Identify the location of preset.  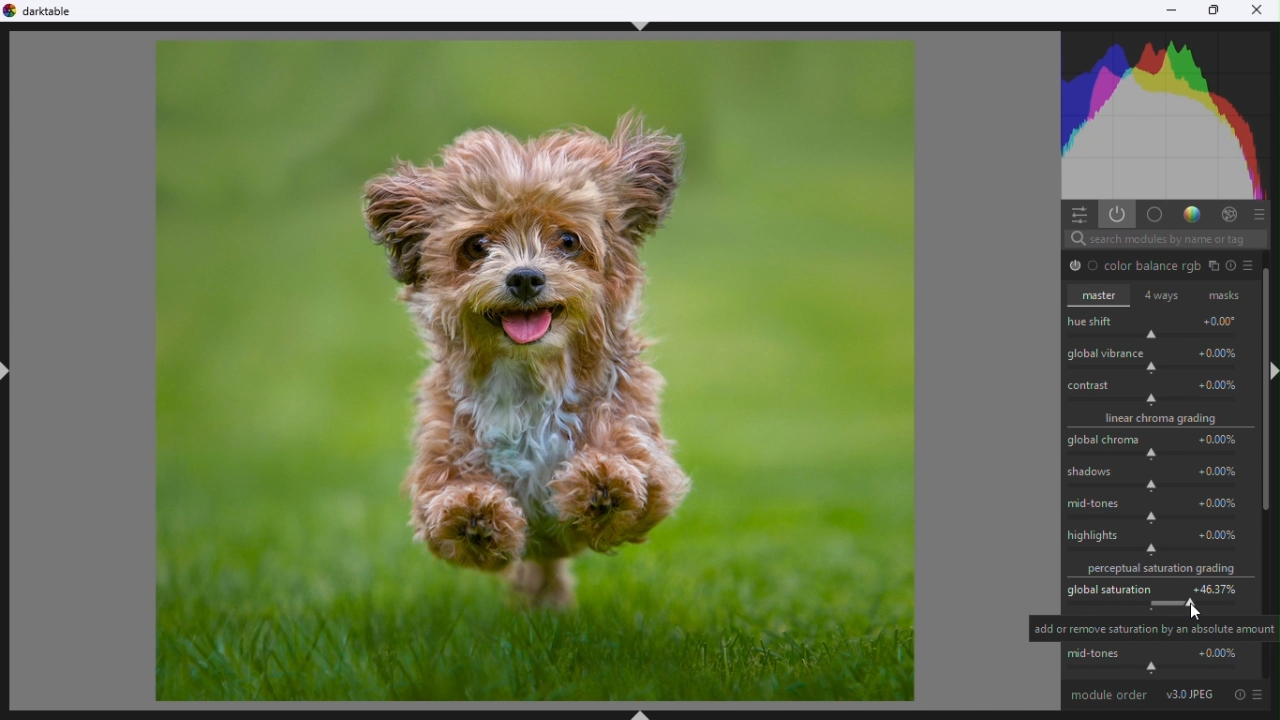
(1259, 699).